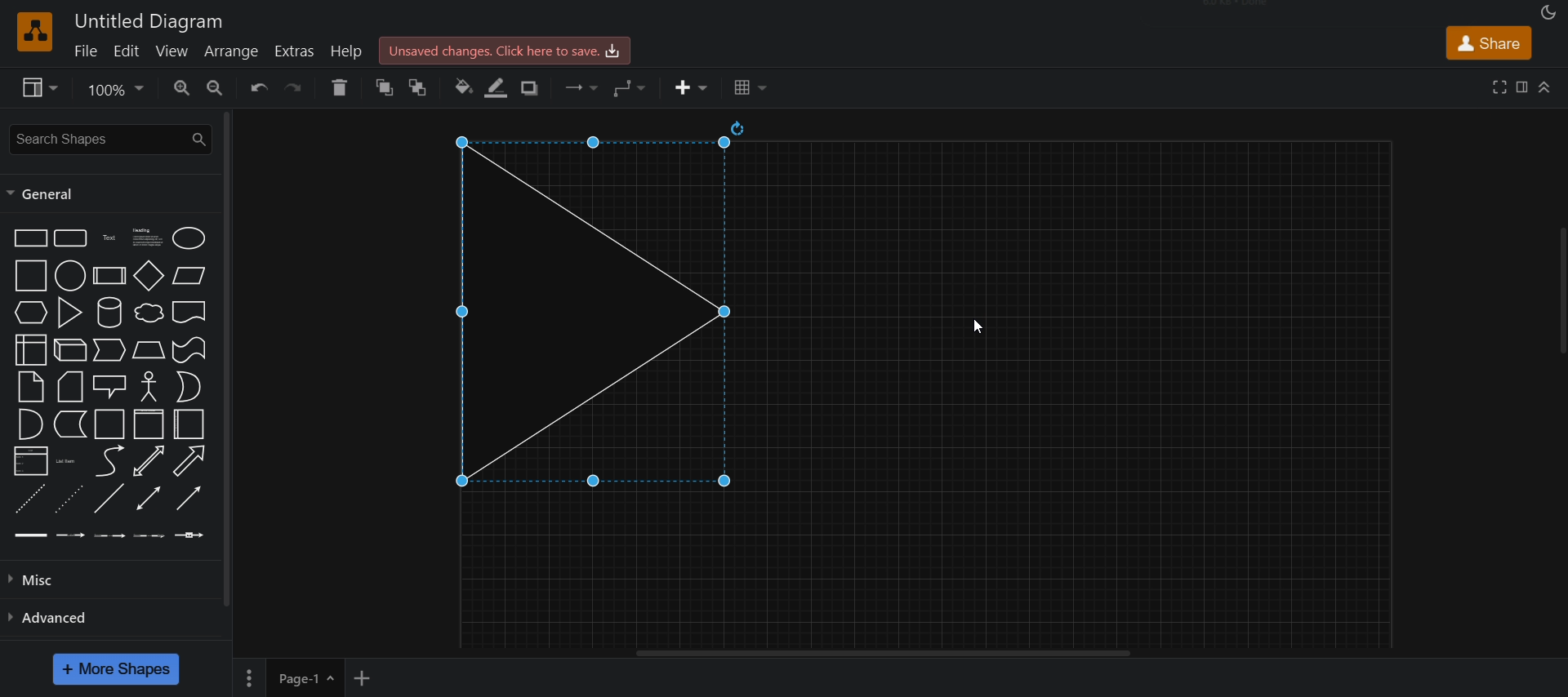 This screenshot has height=697, width=1568. What do you see at coordinates (228, 358) in the screenshot?
I see `vertical scroll bar` at bounding box center [228, 358].